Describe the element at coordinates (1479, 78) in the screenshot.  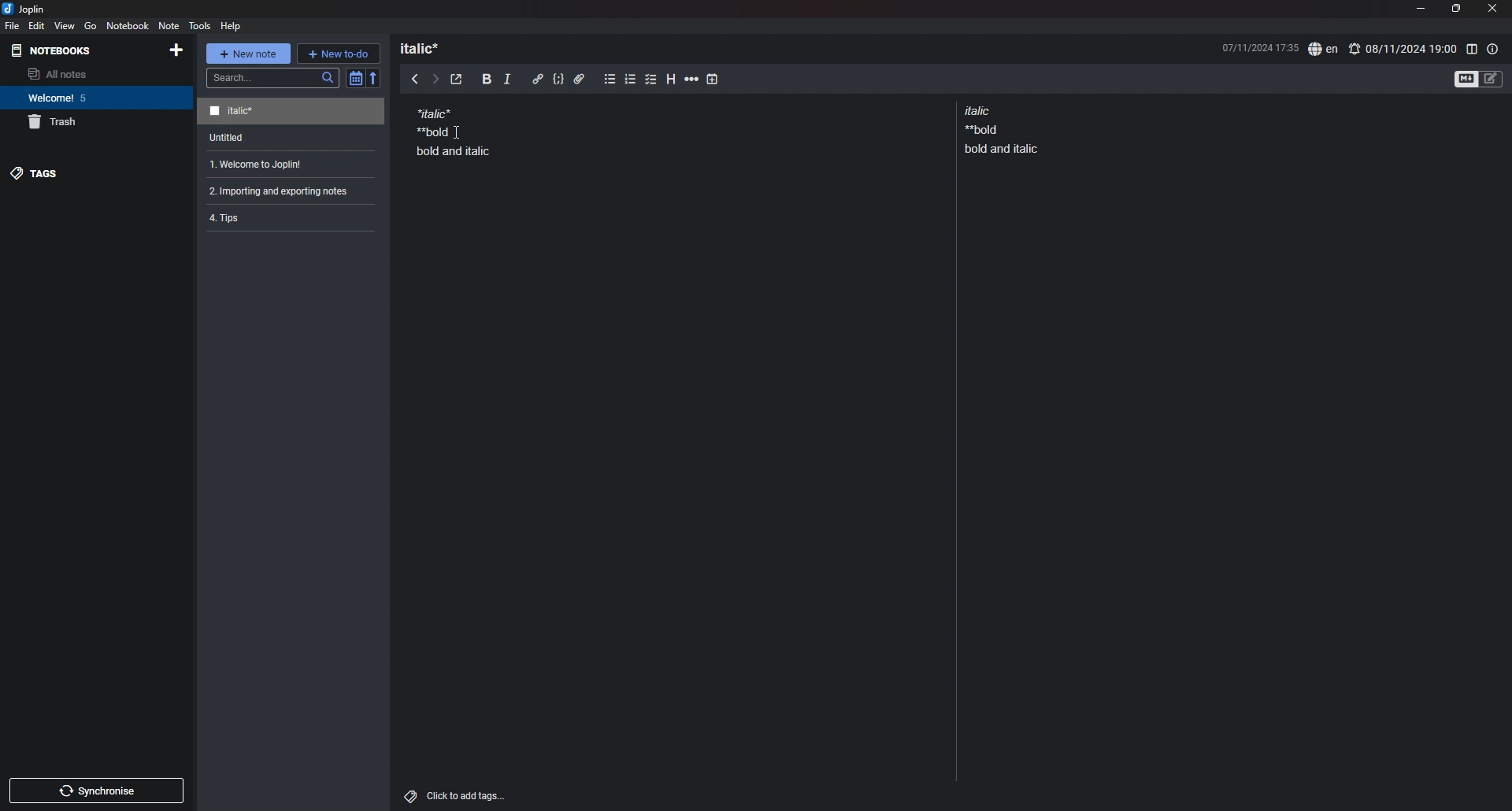
I see `toggle editors` at that location.